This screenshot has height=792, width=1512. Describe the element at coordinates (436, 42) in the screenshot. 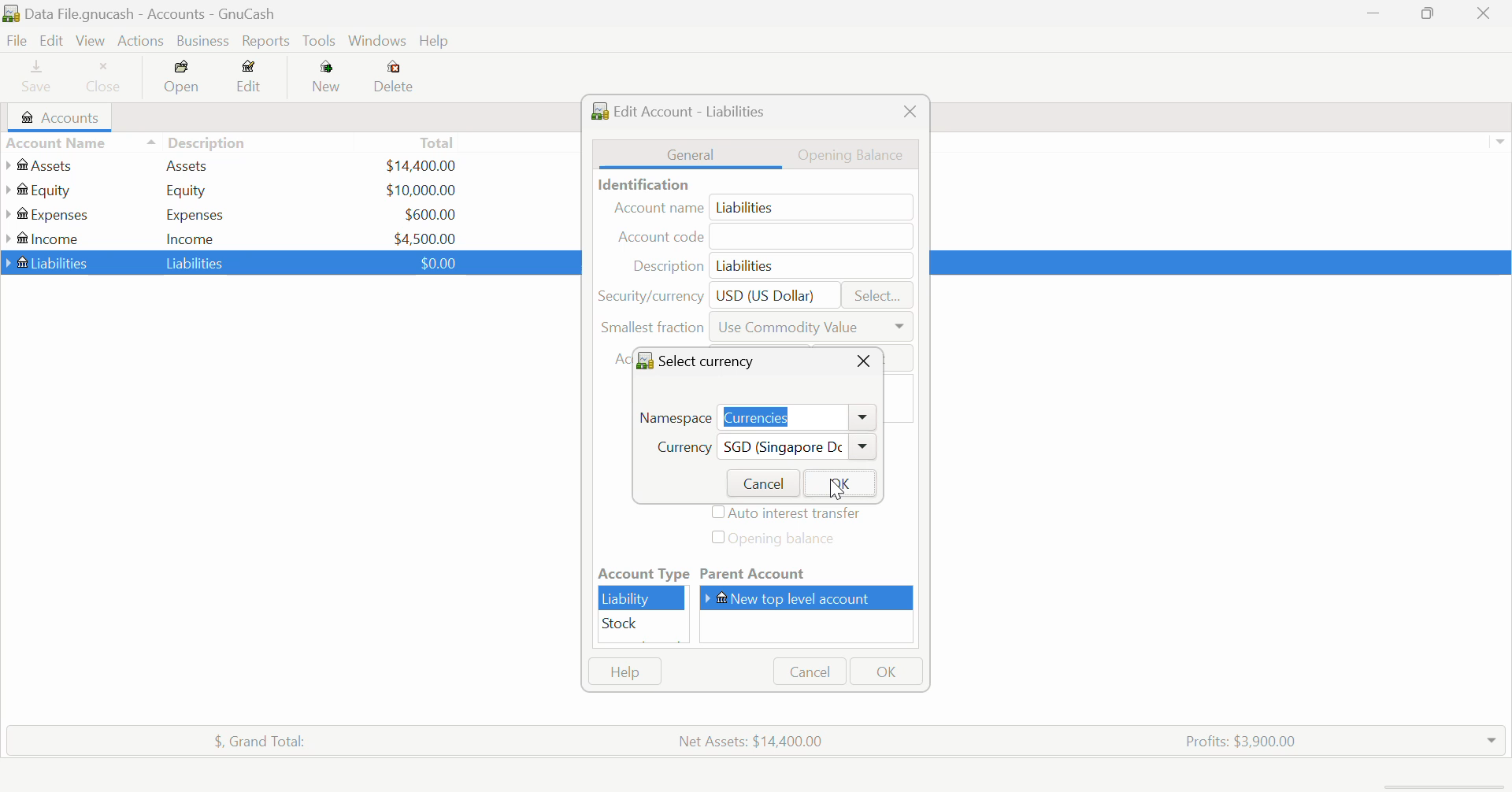

I see `Help` at that location.